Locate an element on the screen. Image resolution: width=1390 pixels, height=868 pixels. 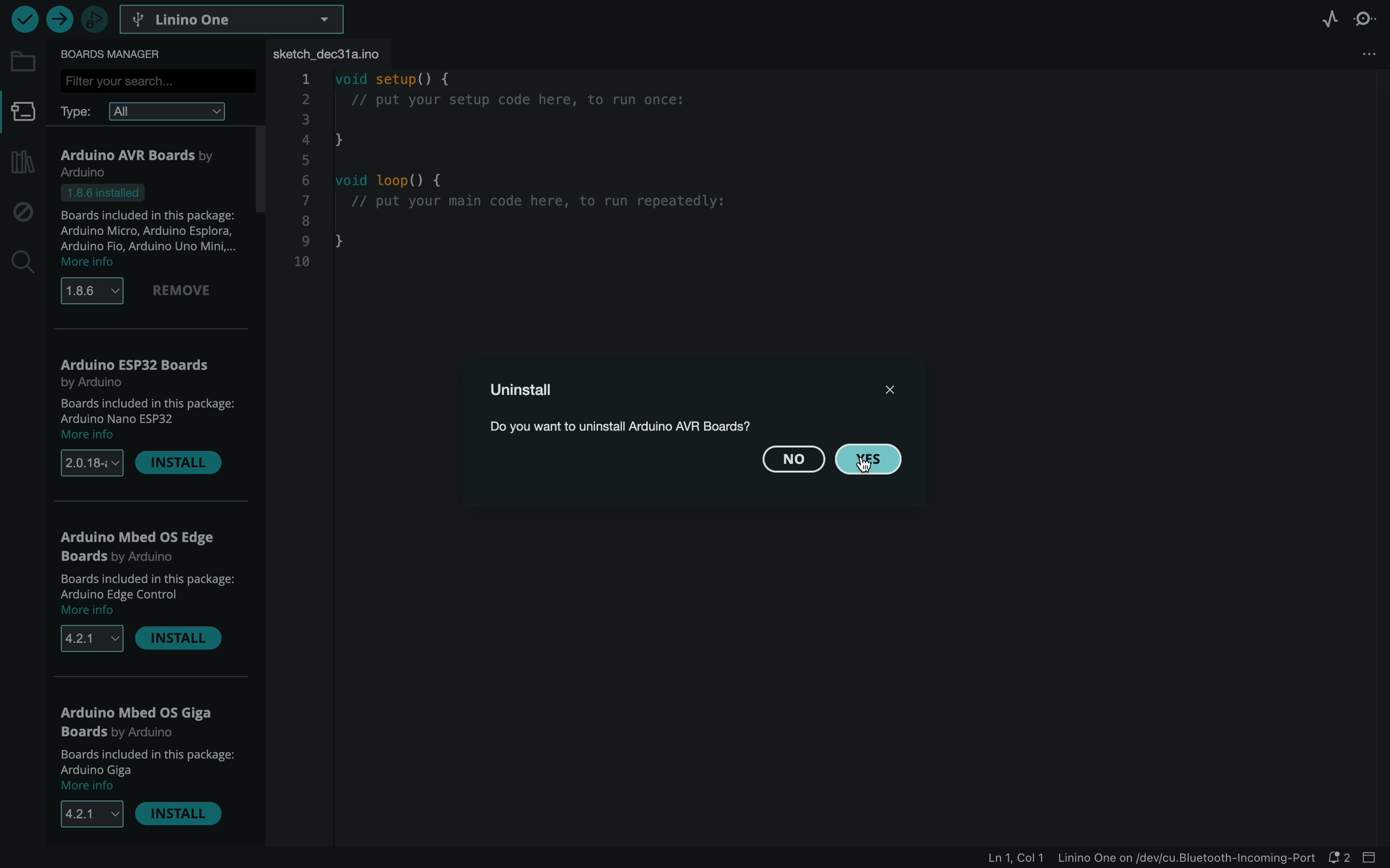
more info is located at coordinates (90, 437).